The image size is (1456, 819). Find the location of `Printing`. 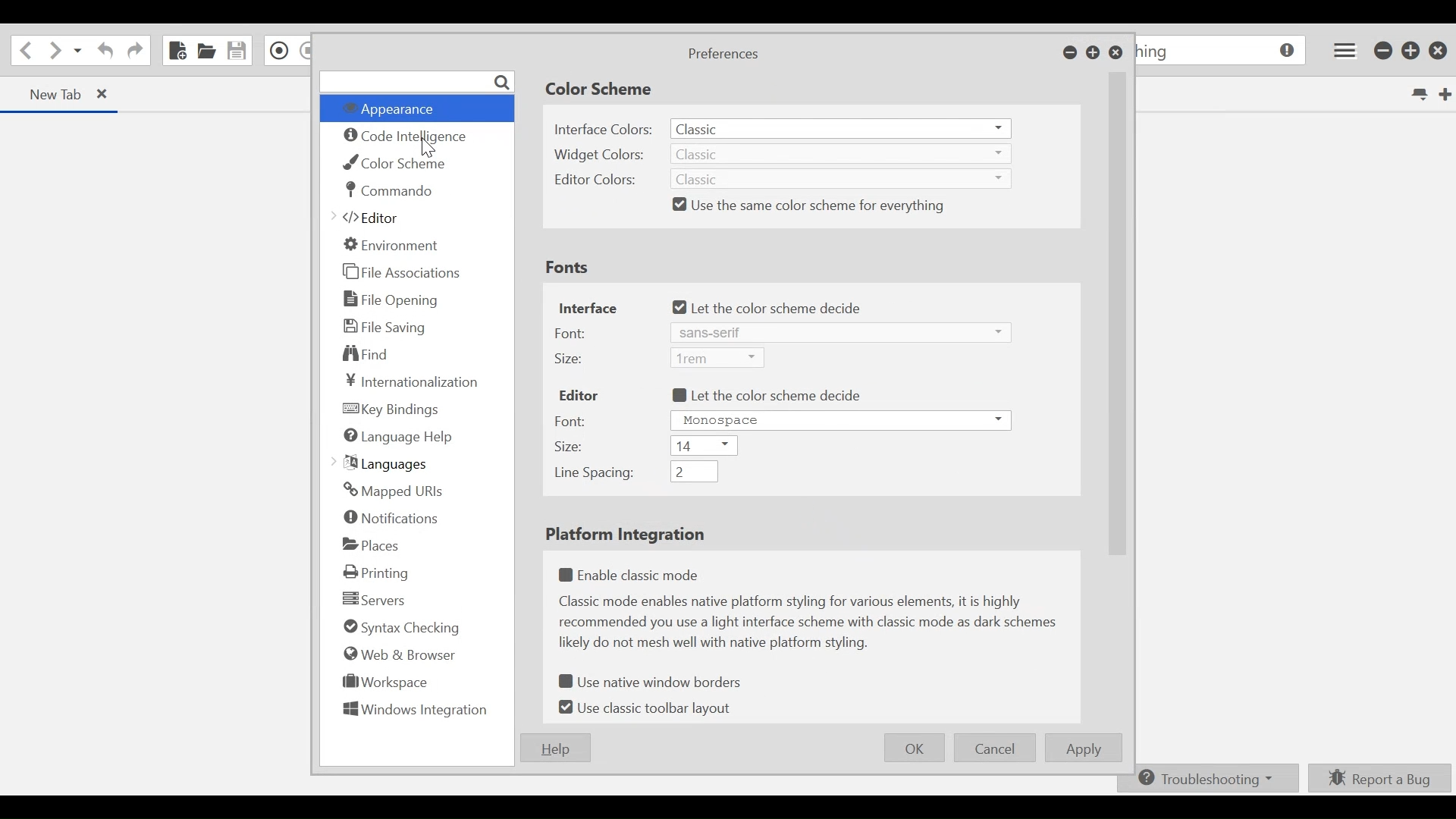

Printing is located at coordinates (381, 572).